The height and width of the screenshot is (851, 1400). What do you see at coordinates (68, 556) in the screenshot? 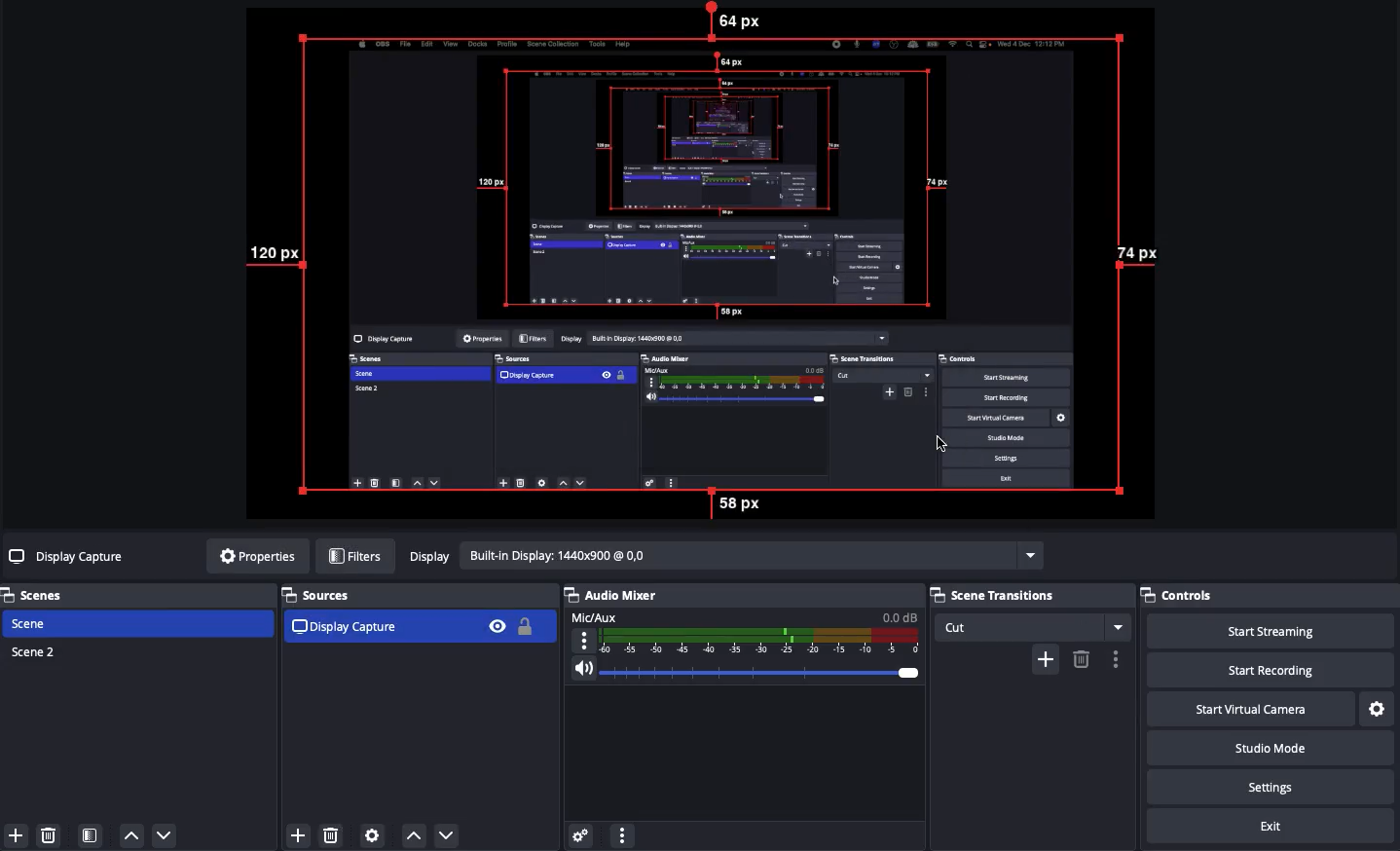
I see `No sources selected` at bounding box center [68, 556].